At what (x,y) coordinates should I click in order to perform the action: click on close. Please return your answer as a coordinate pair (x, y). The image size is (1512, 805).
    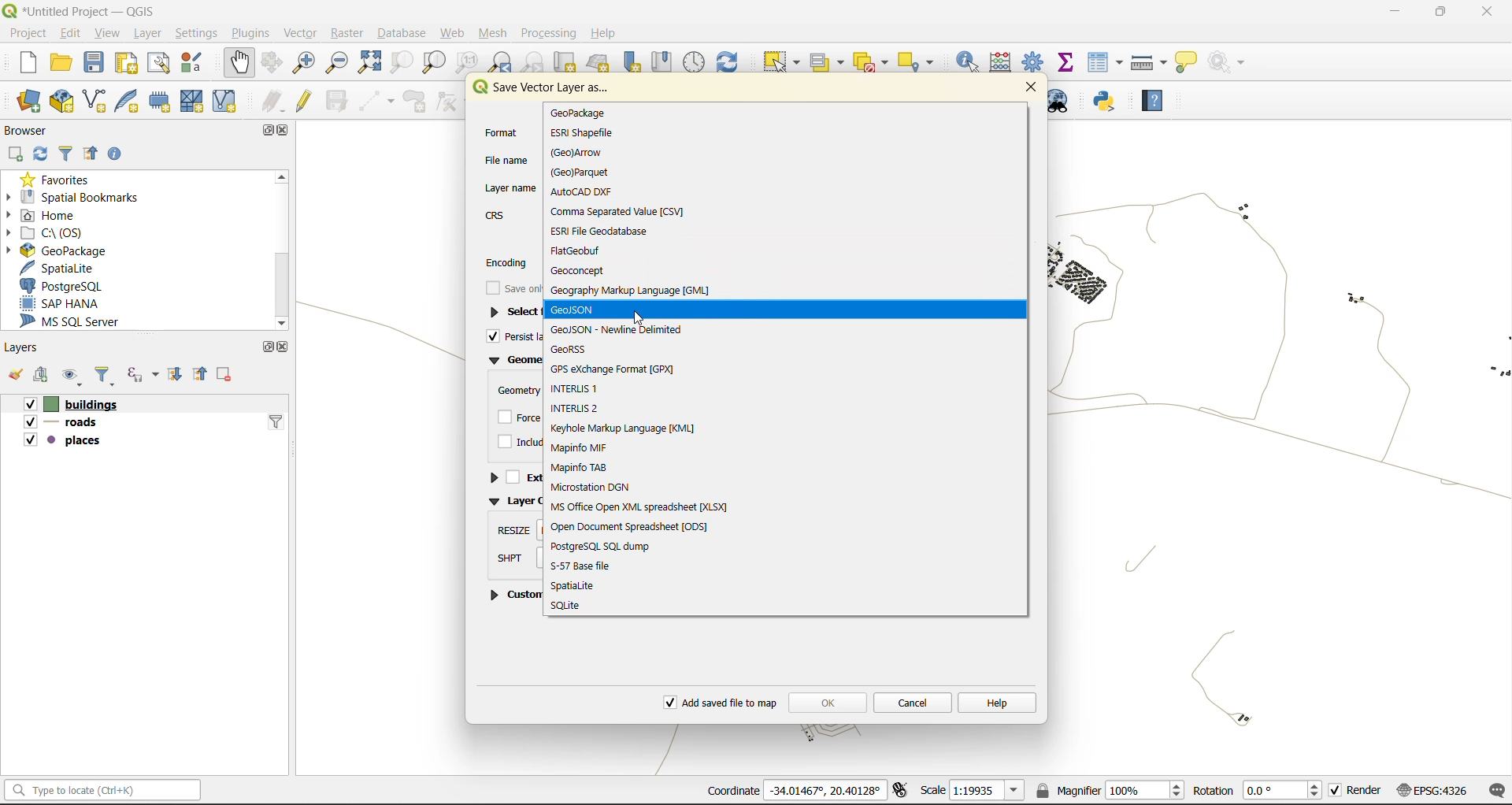
    Looking at the image, I should click on (288, 132).